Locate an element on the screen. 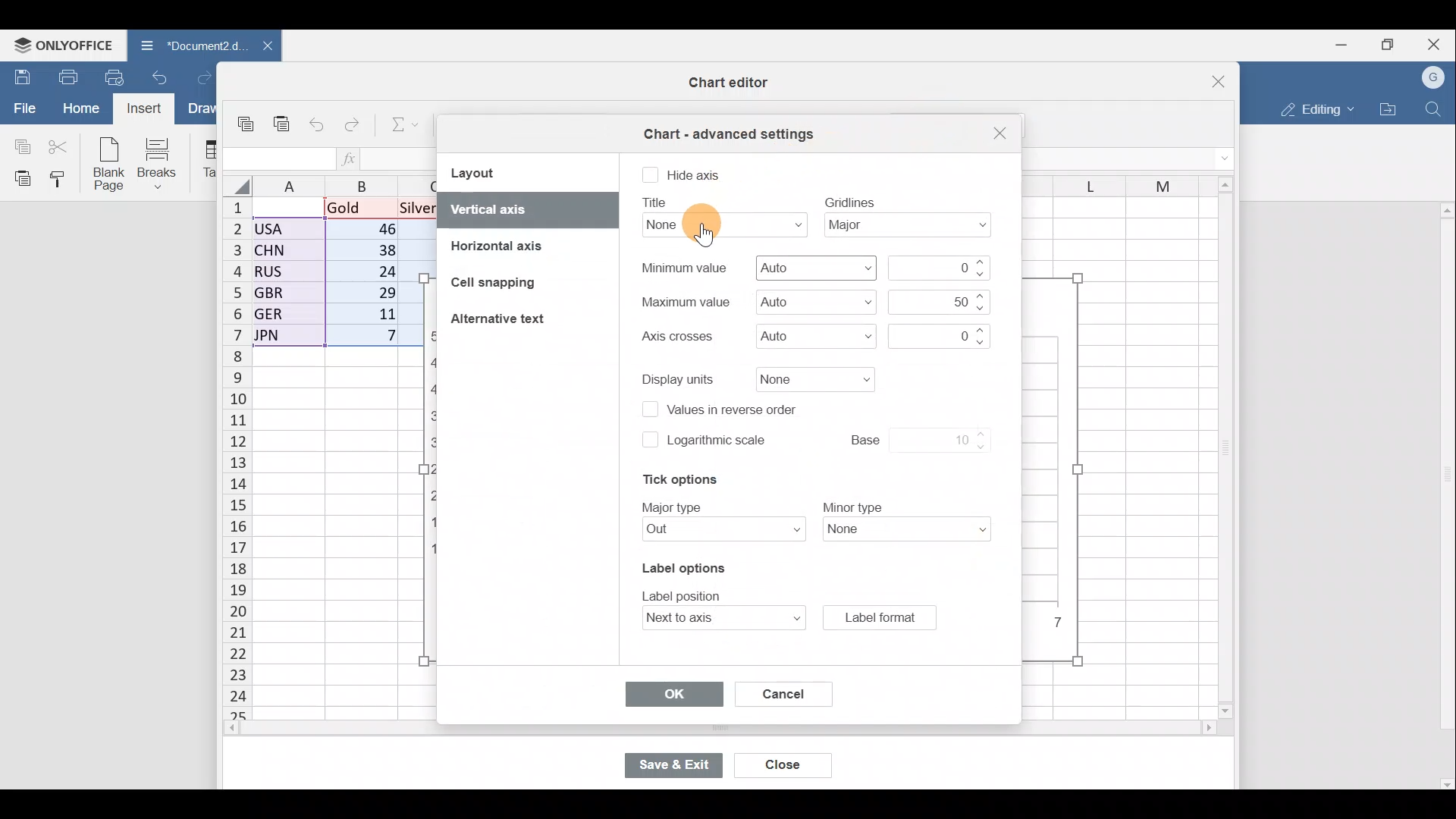 Image resolution: width=1456 pixels, height=819 pixels. Close is located at coordinates (1436, 42).